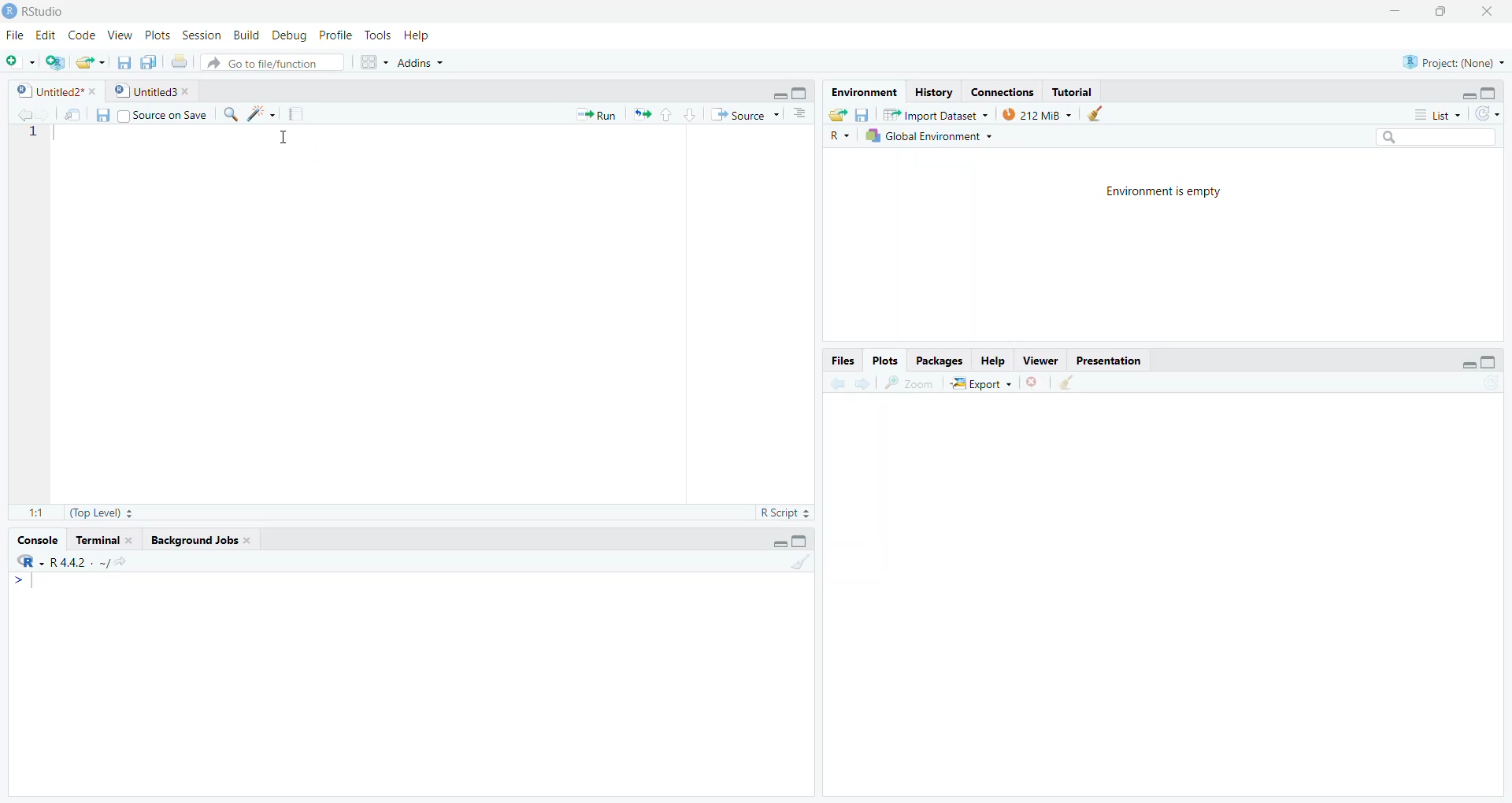 The image size is (1512, 803). What do you see at coordinates (150, 92) in the screenshot?
I see `untitled` at bounding box center [150, 92].